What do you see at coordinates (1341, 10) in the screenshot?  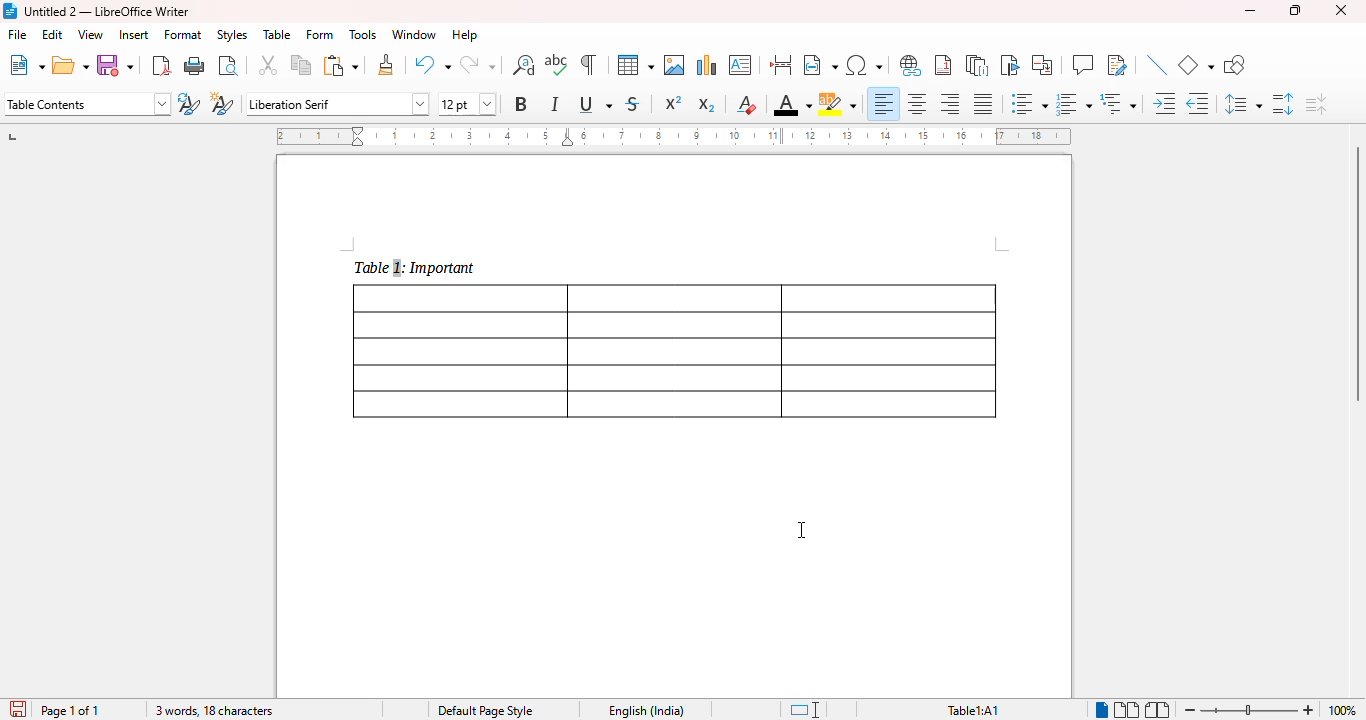 I see `close` at bounding box center [1341, 10].